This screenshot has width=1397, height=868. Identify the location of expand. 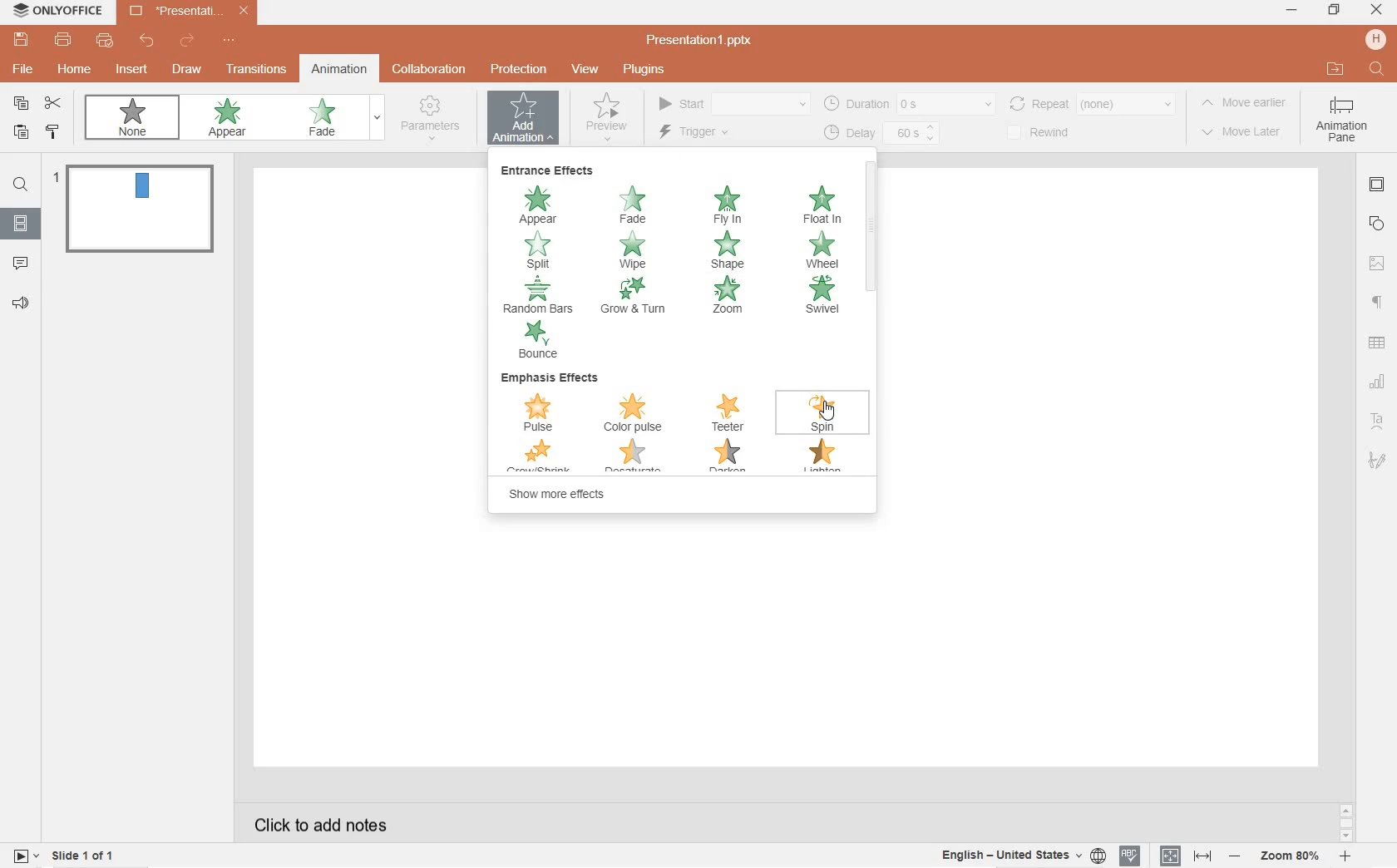
(377, 119).